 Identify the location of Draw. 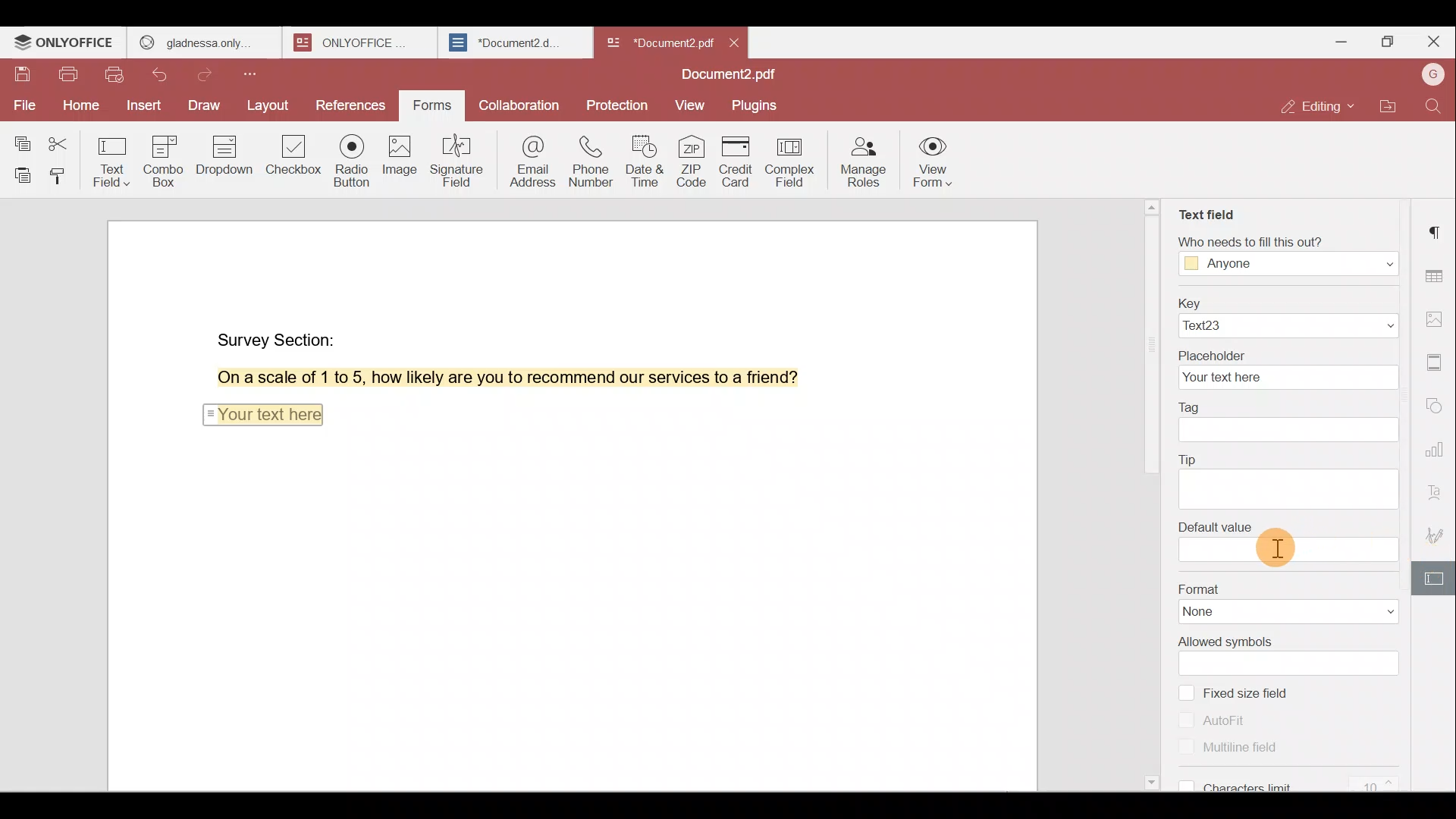
(206, 107).